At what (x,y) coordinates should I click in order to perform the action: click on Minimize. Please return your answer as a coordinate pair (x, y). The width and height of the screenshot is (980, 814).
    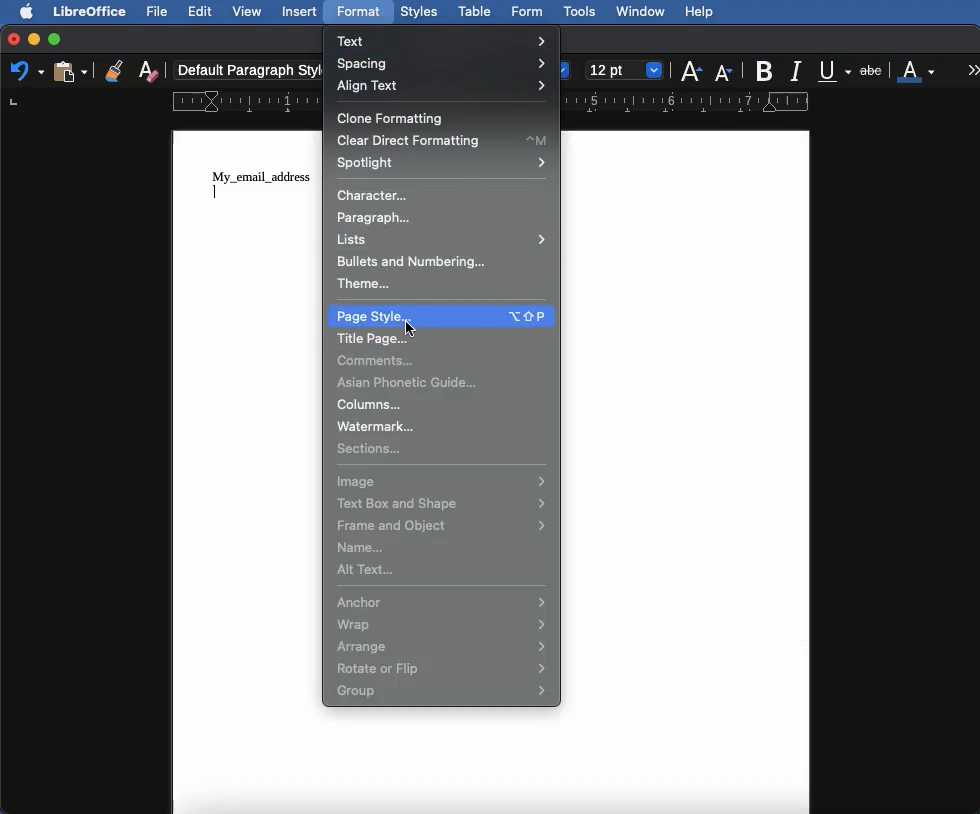
    Looking at the image, I should click on (33, 39).